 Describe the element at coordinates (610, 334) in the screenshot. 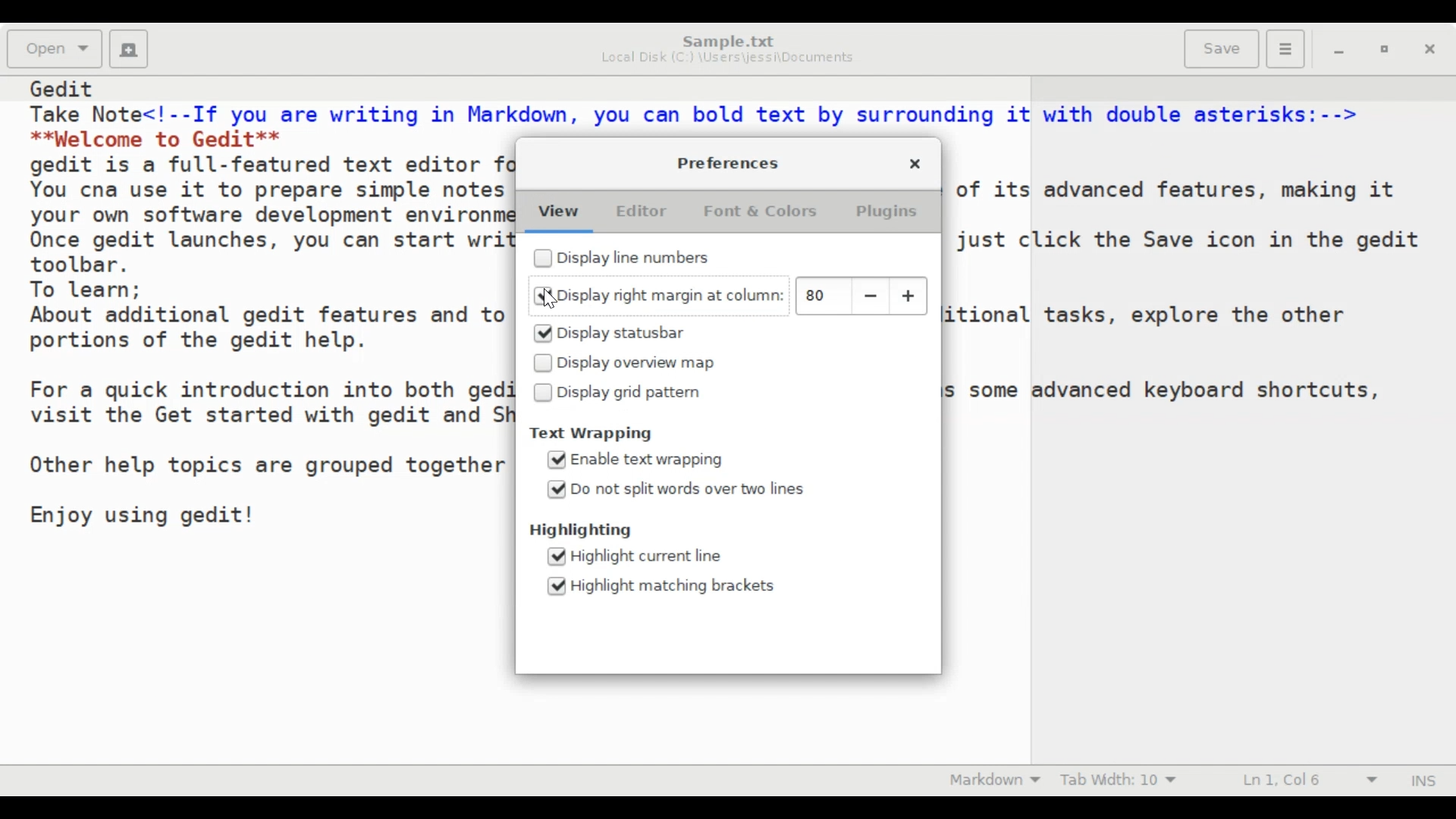

I see `(un)select Display statusbar` at that location.